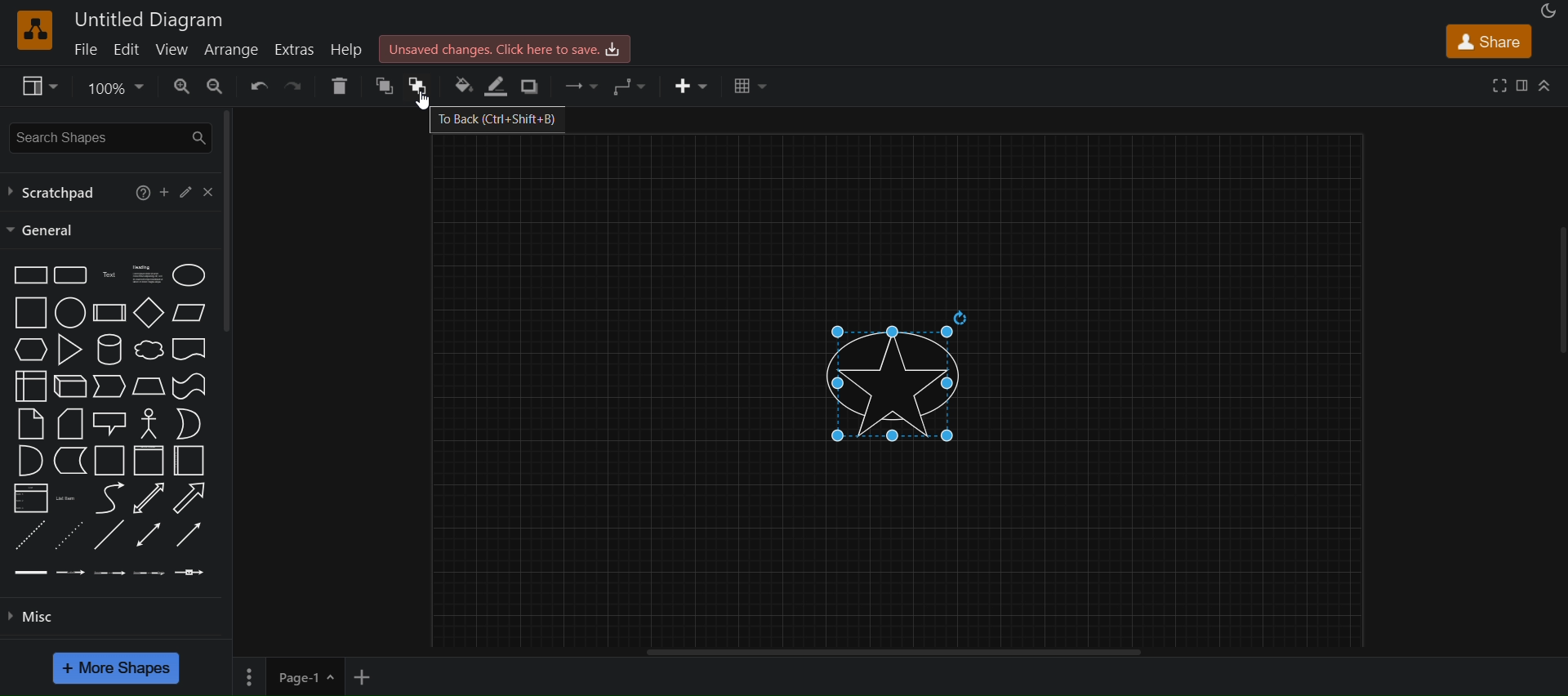  I want to click on file, so click(85, 50).